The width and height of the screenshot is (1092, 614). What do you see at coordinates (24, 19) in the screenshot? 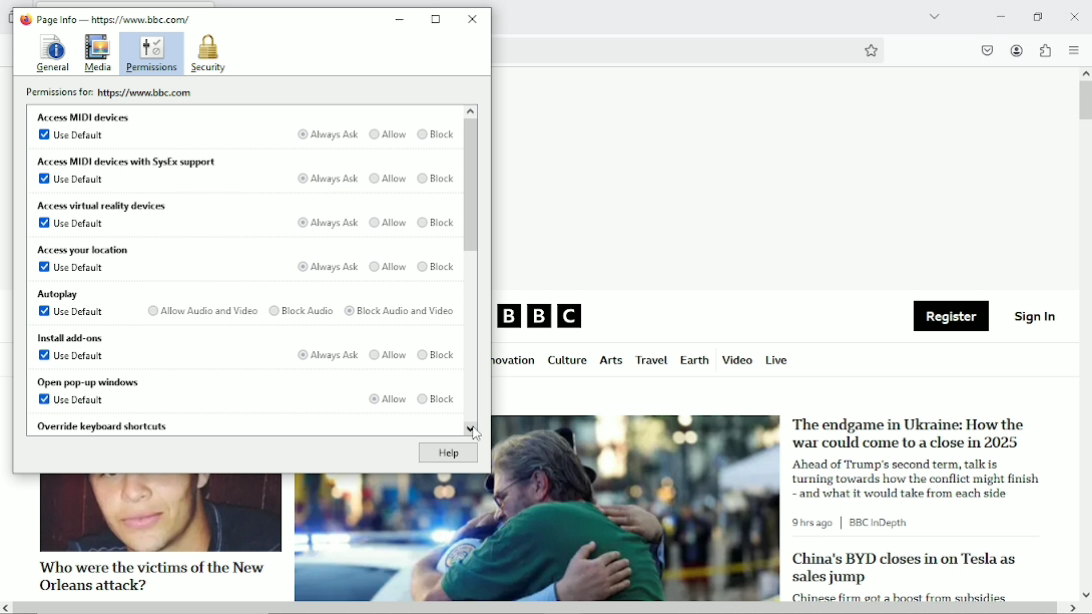
I see `logo` at bounding box center [24, 19].